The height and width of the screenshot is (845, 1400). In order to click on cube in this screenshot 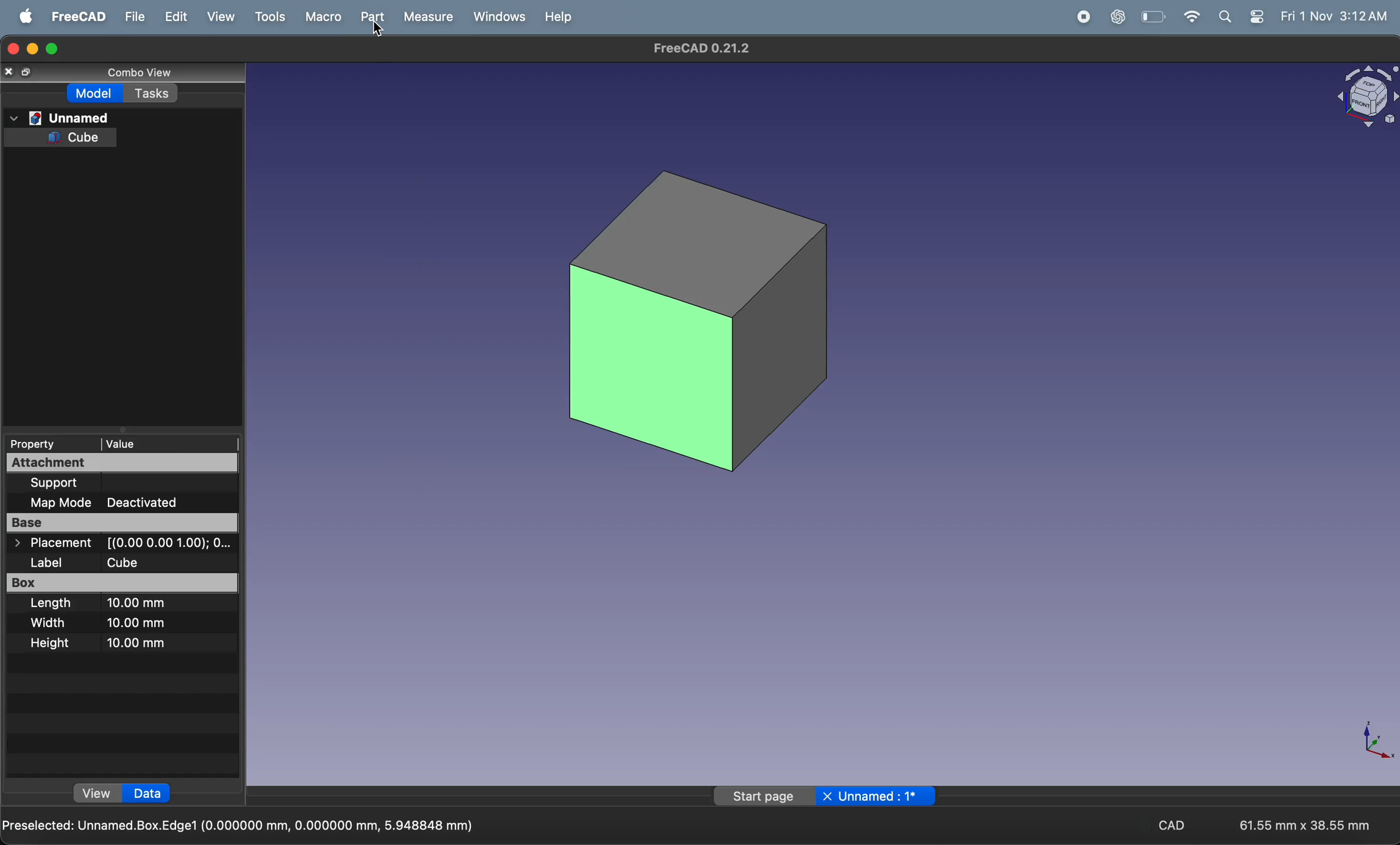, I will do `click(82, 136)`.